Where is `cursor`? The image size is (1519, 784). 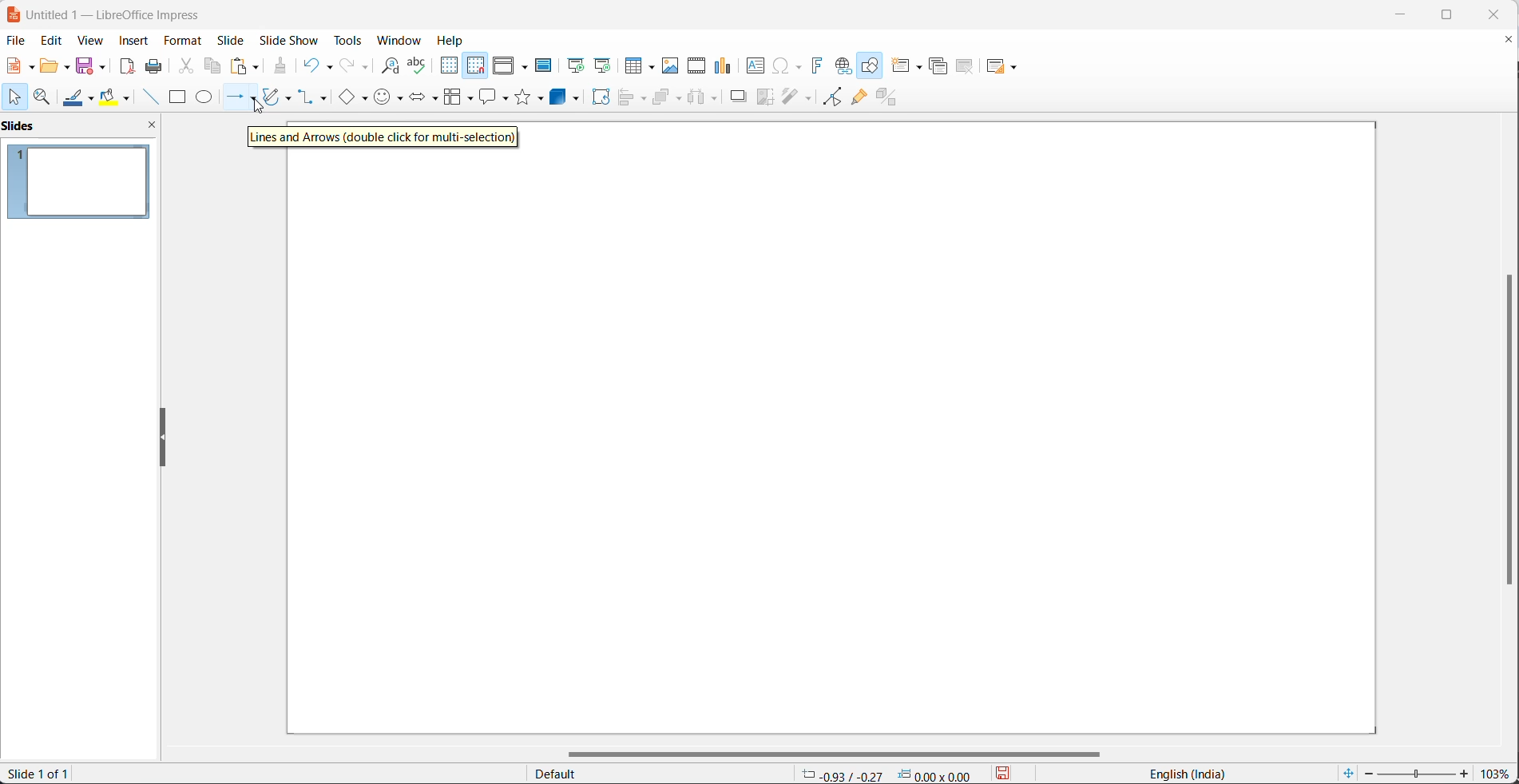 cursor is located at coordinates (18, 98).